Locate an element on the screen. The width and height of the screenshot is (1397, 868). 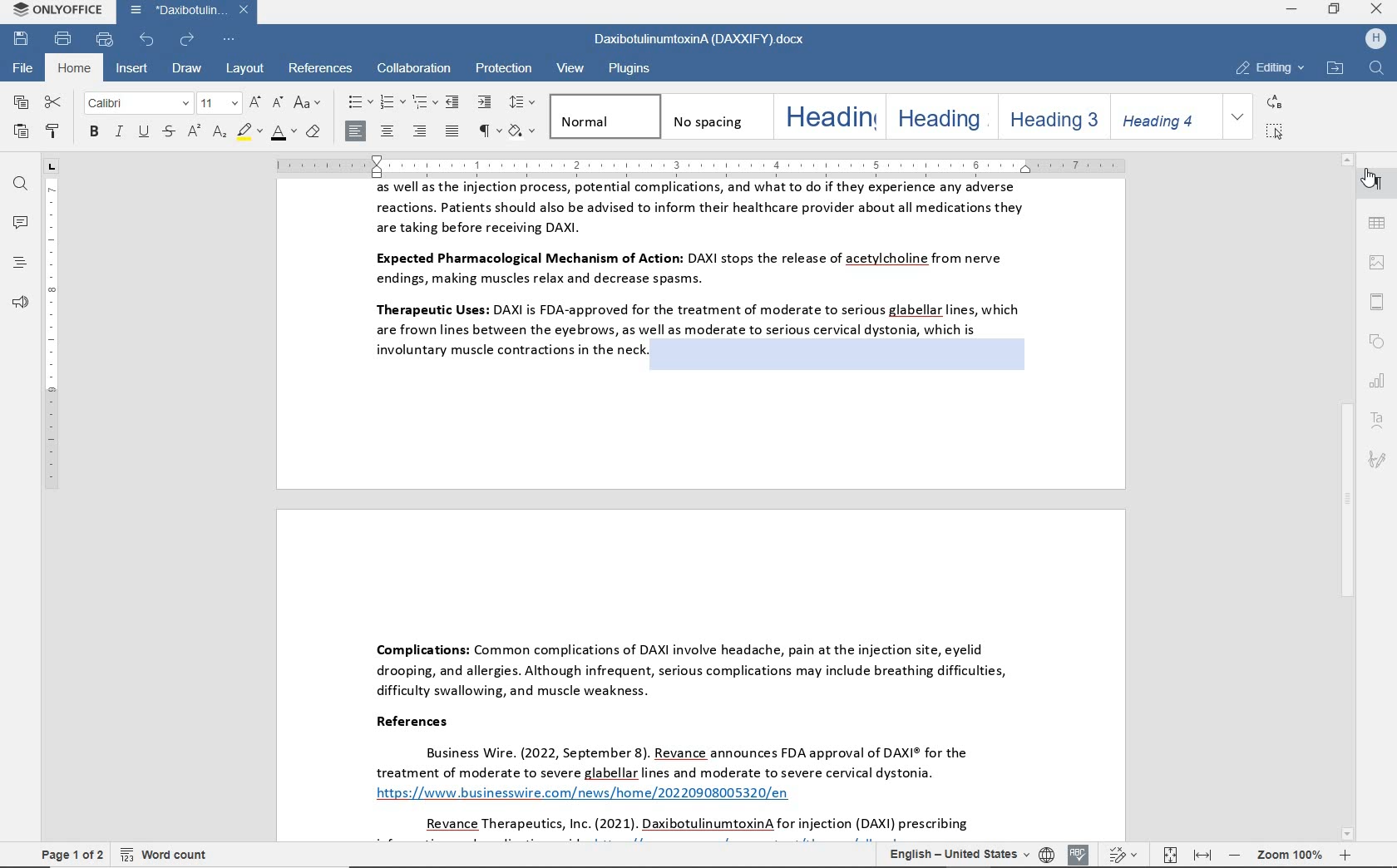
paragraph settings is located at coordinates (1375, 180).